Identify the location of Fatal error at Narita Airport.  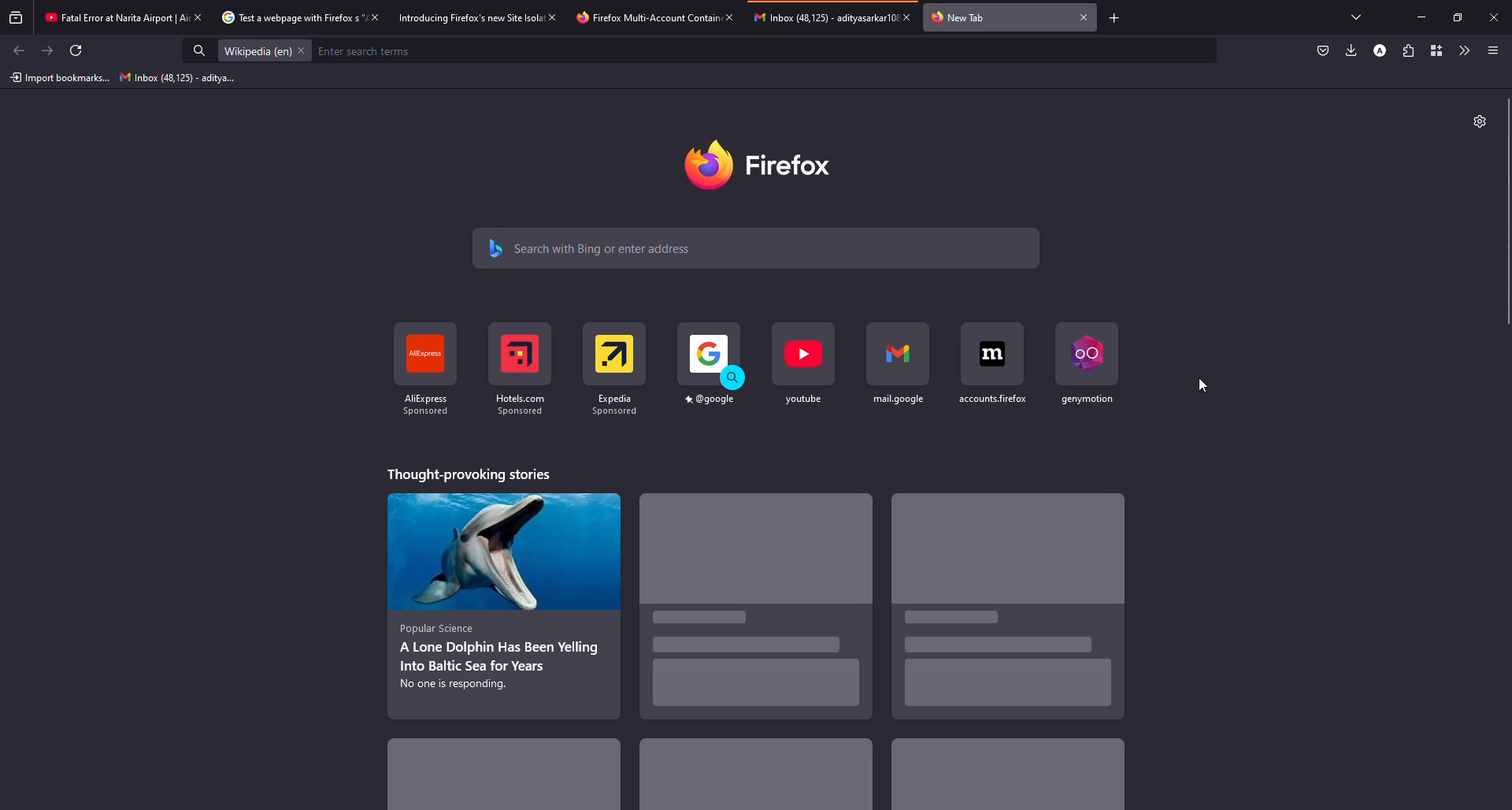
(107, 18).